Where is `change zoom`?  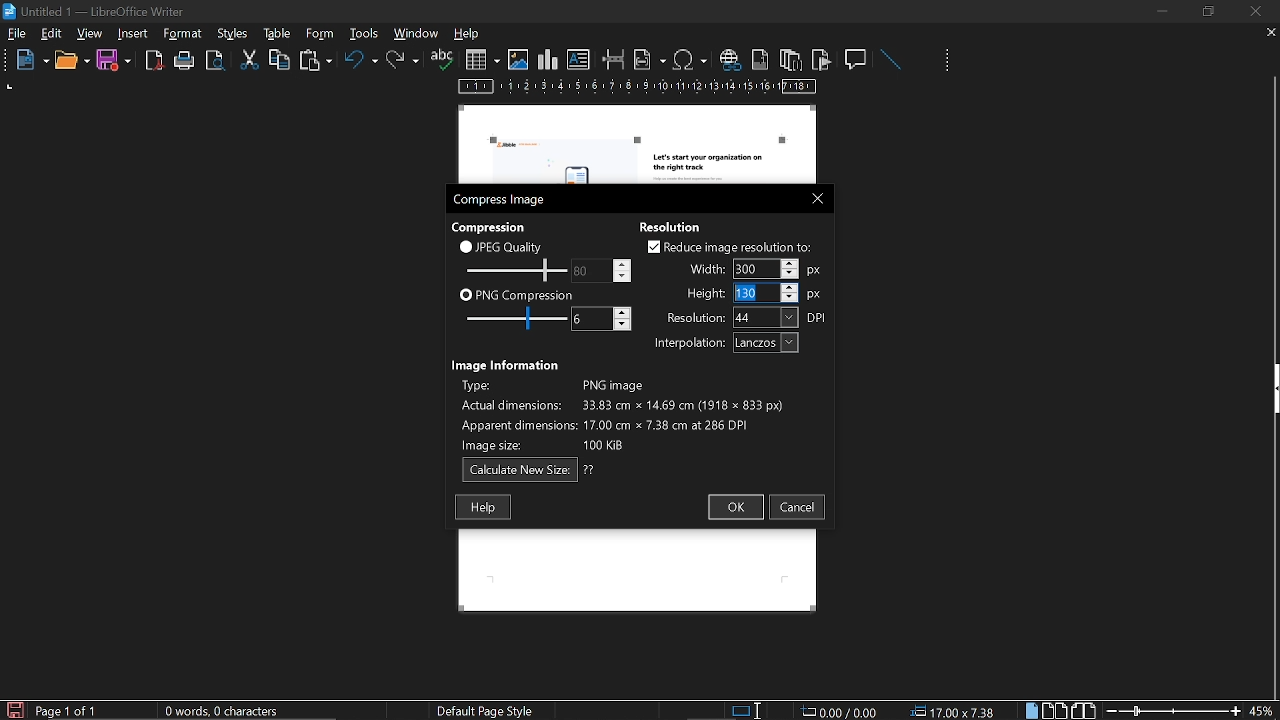 change zoom is located at coordinates (1173, 710).